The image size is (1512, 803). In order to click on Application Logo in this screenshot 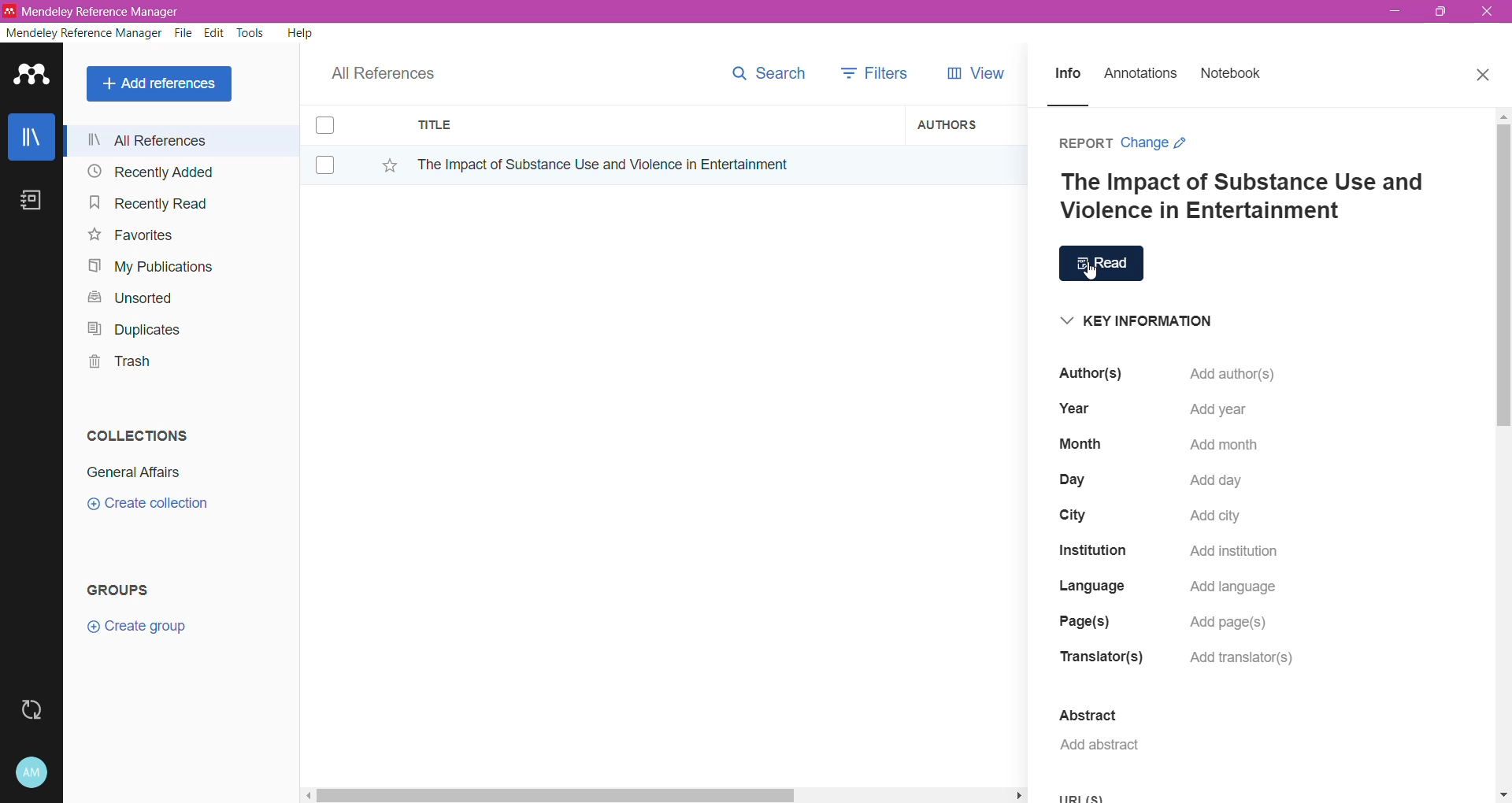, I will do `click(32, 72)`.